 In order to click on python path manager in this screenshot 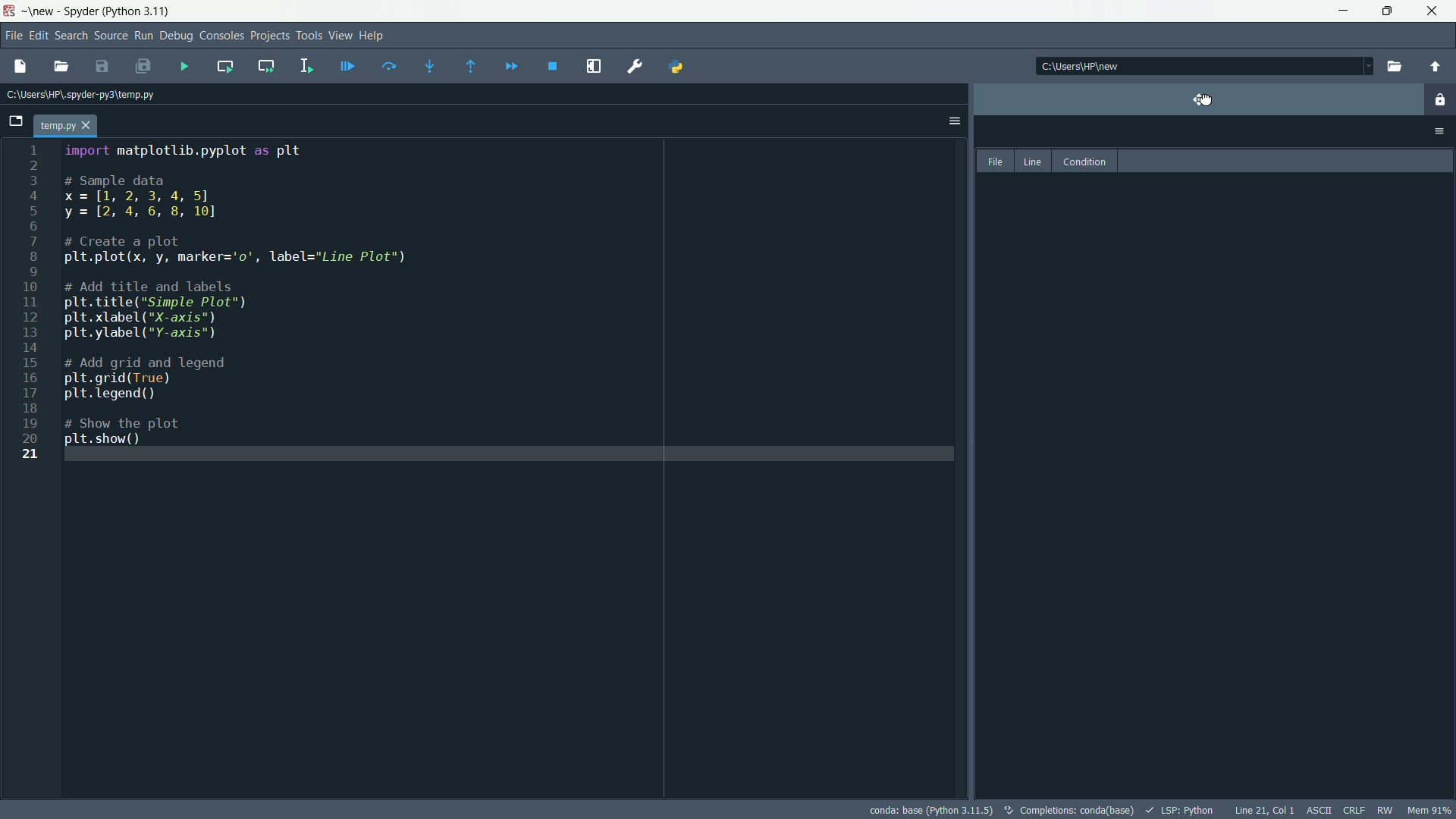, I will do `click(681, 67)`.